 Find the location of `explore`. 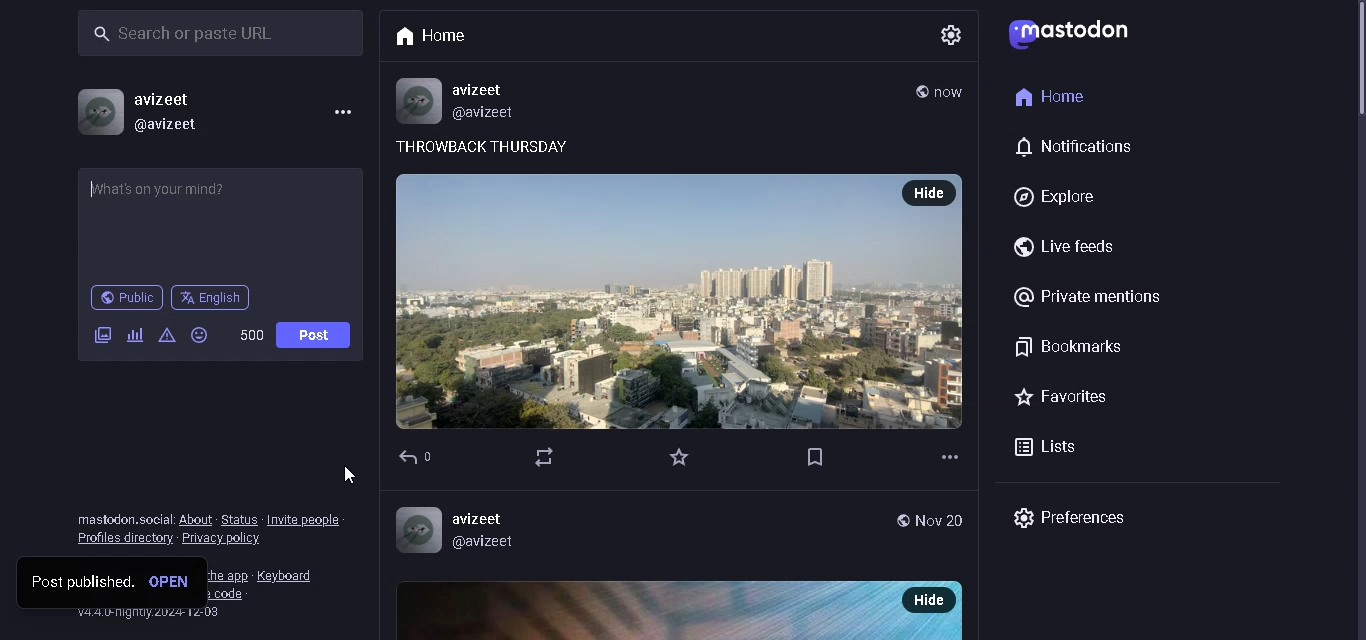

explore is located at coordinates (1063, 193).